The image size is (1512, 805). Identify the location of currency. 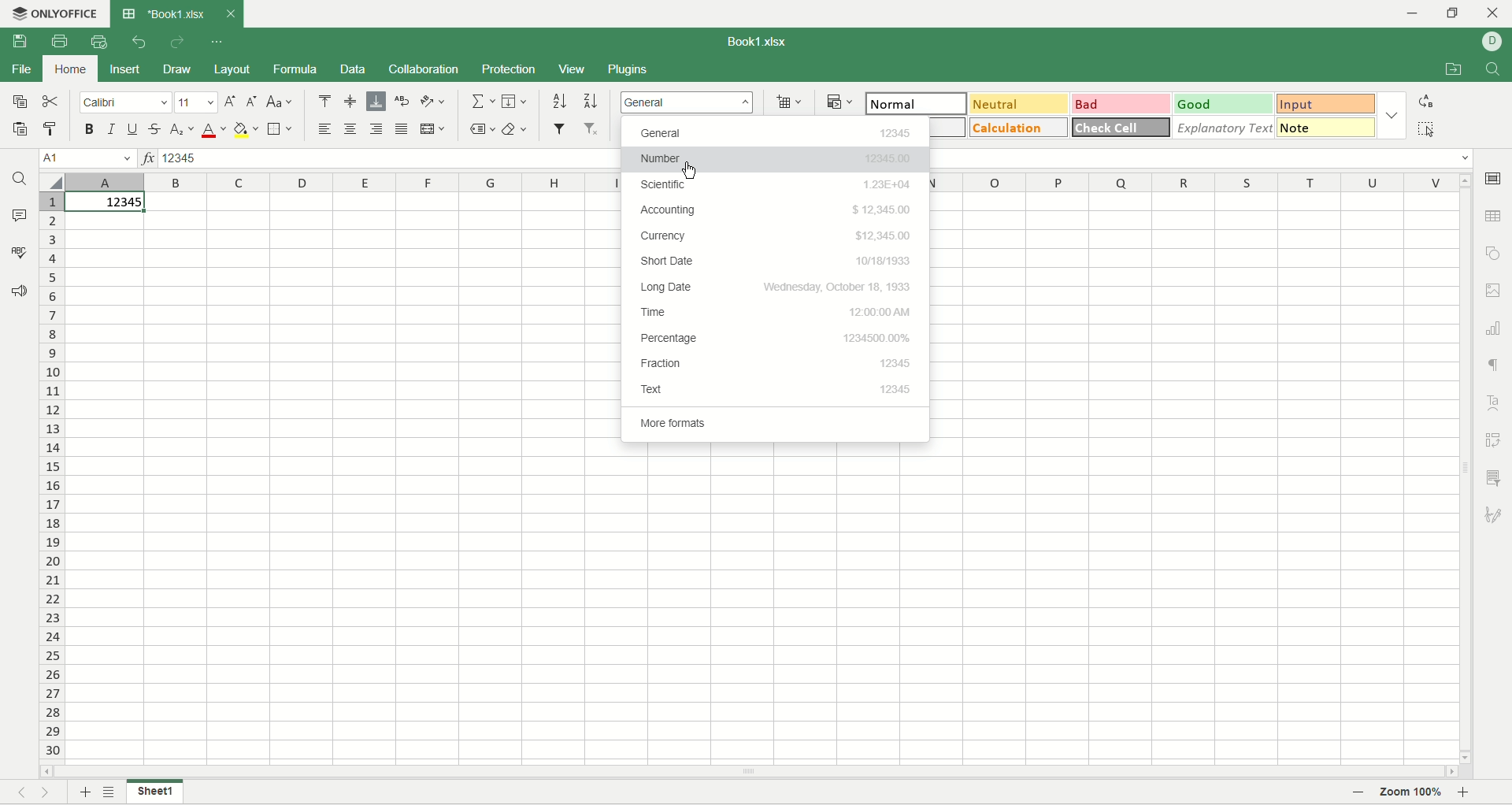
(776, 236).